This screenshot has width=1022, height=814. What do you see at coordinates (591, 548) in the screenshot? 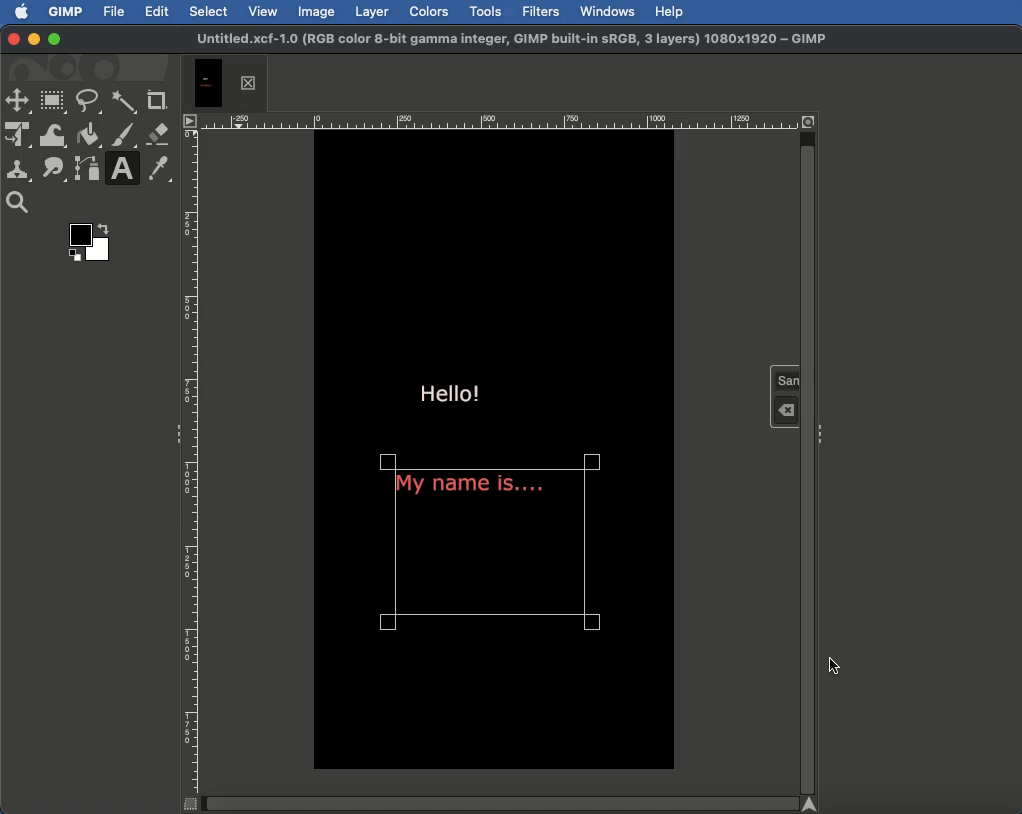
I see `text selecter` at bounding box center [591, 548].